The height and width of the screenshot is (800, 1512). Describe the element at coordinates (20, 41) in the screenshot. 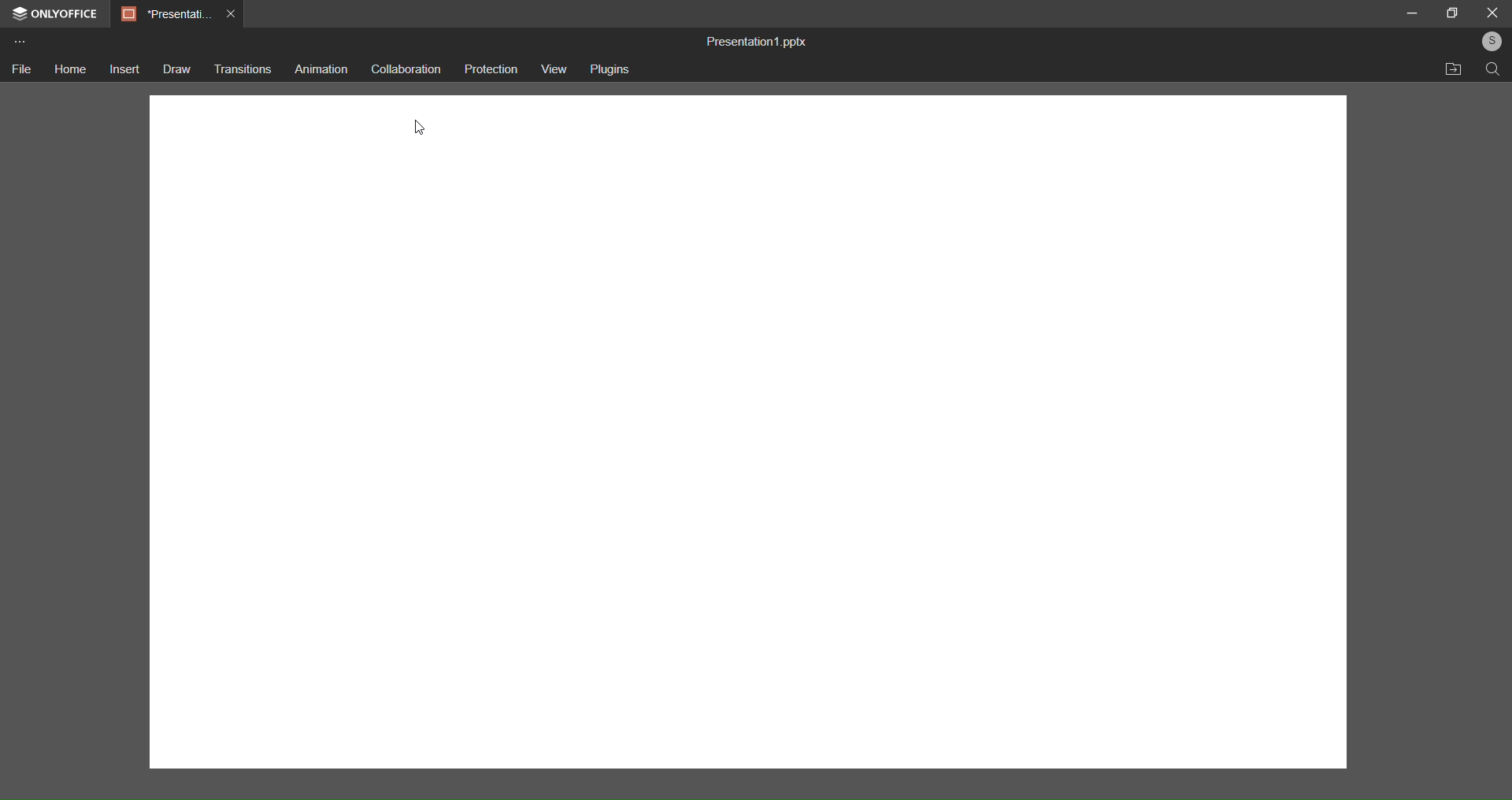

I see `more` at that location.